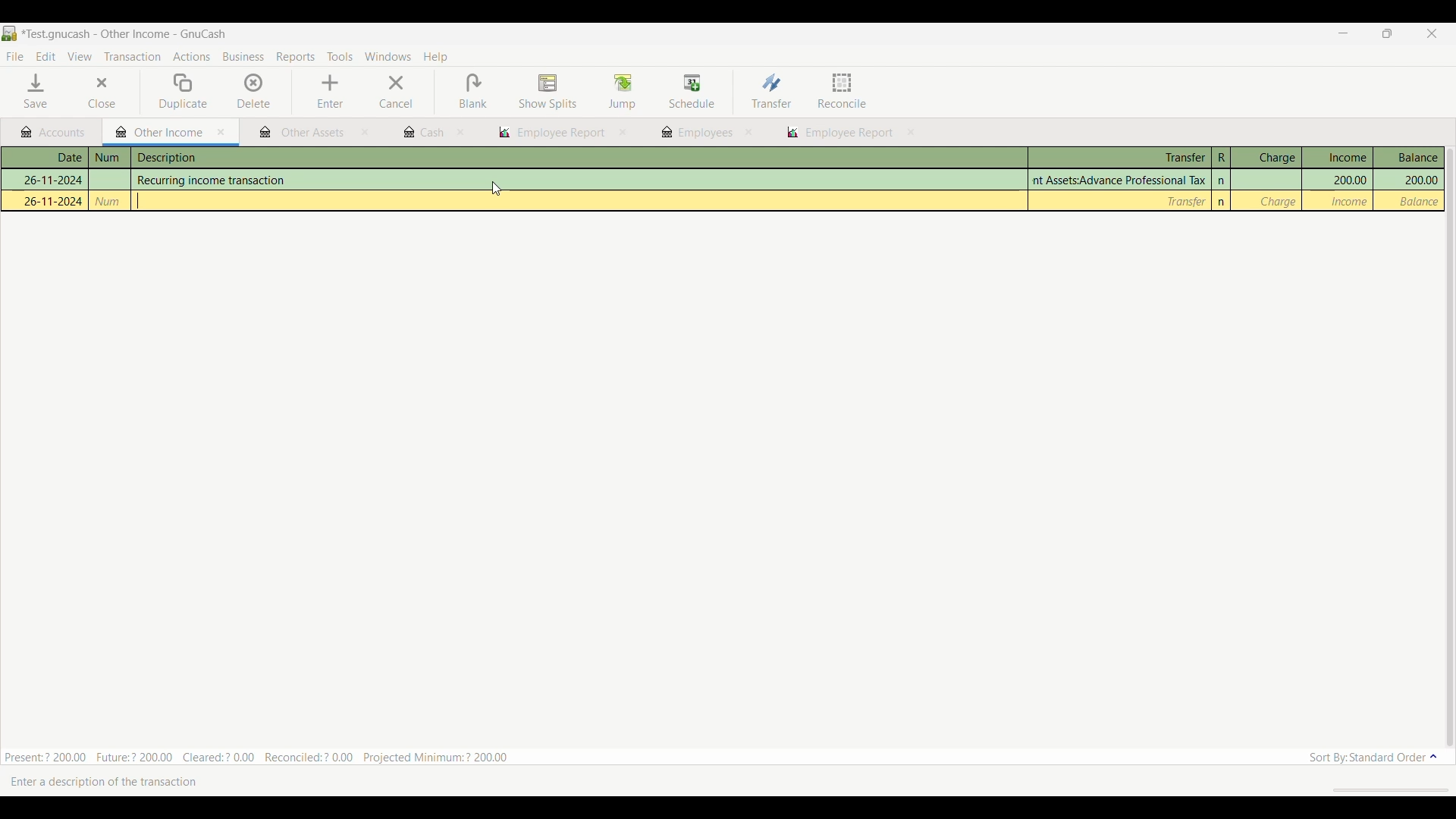 This screenshot has height=819, width=1456. I want to click on Description of current selection, so click(259, 782).